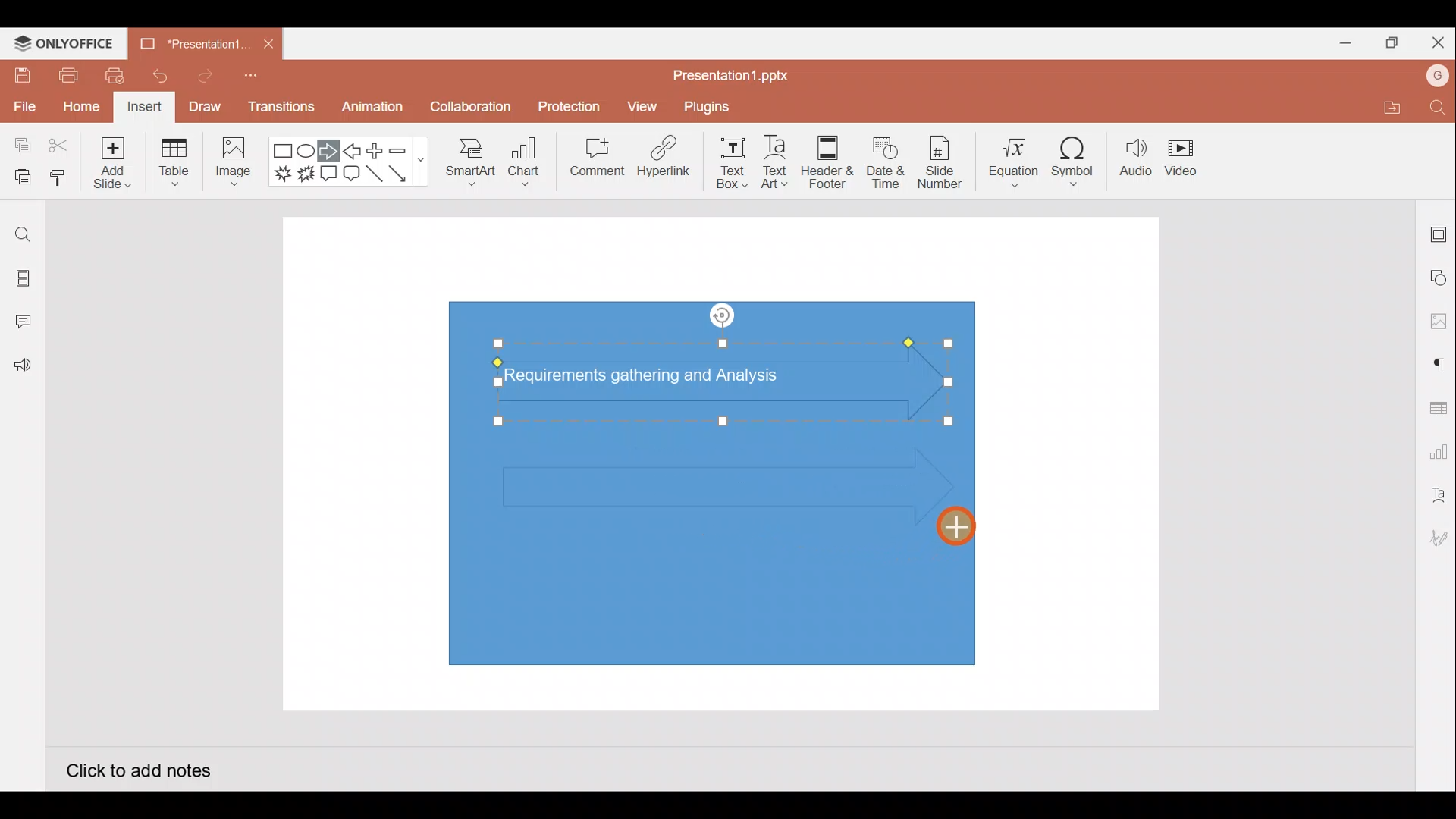 The height and width of the screenshot is (819, 1456). I want to click on Minimize, so click(1339, 40).